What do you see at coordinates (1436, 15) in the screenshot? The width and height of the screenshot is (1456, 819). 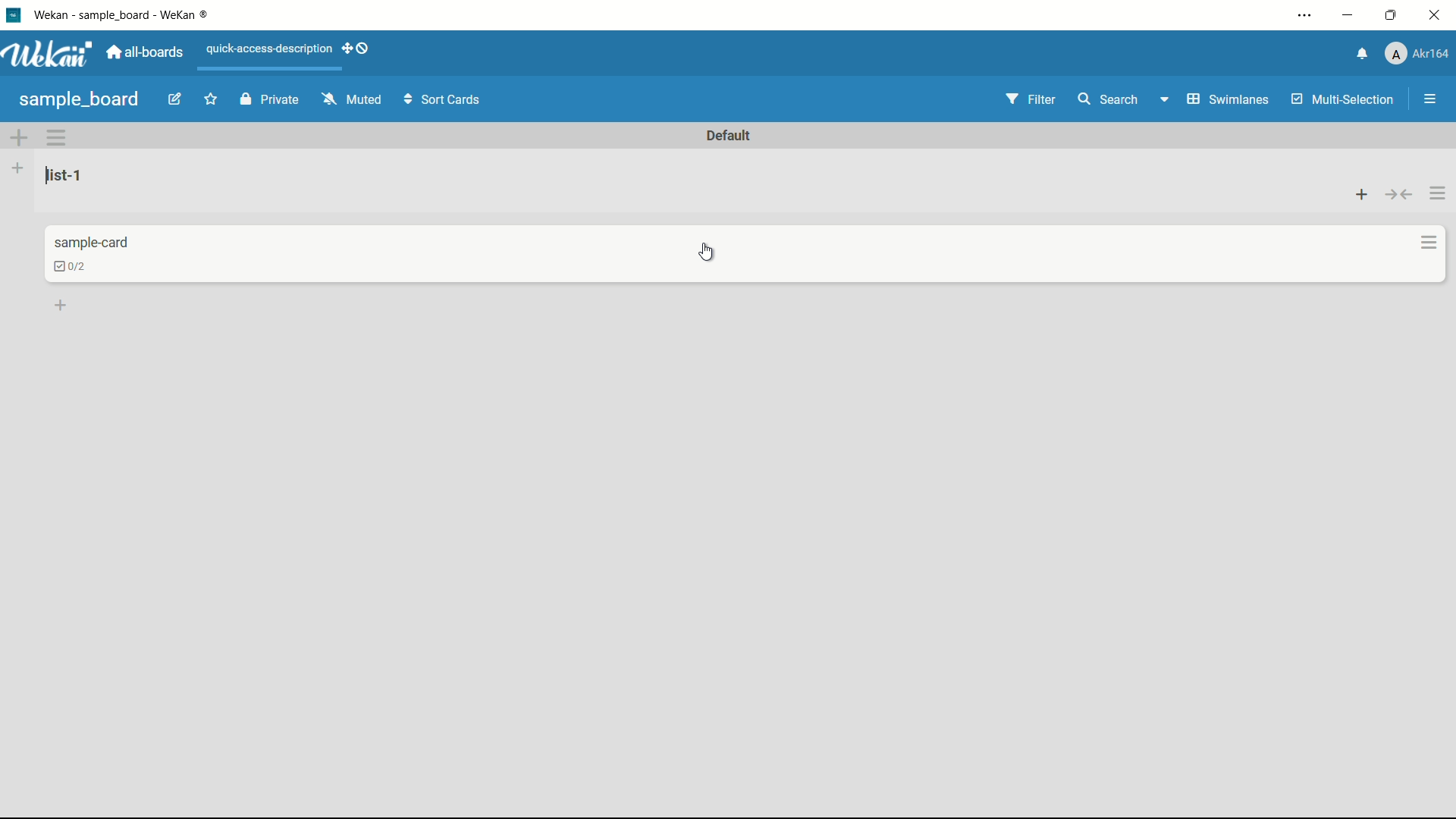 I see `close app` at bounding box center [1436, 15].